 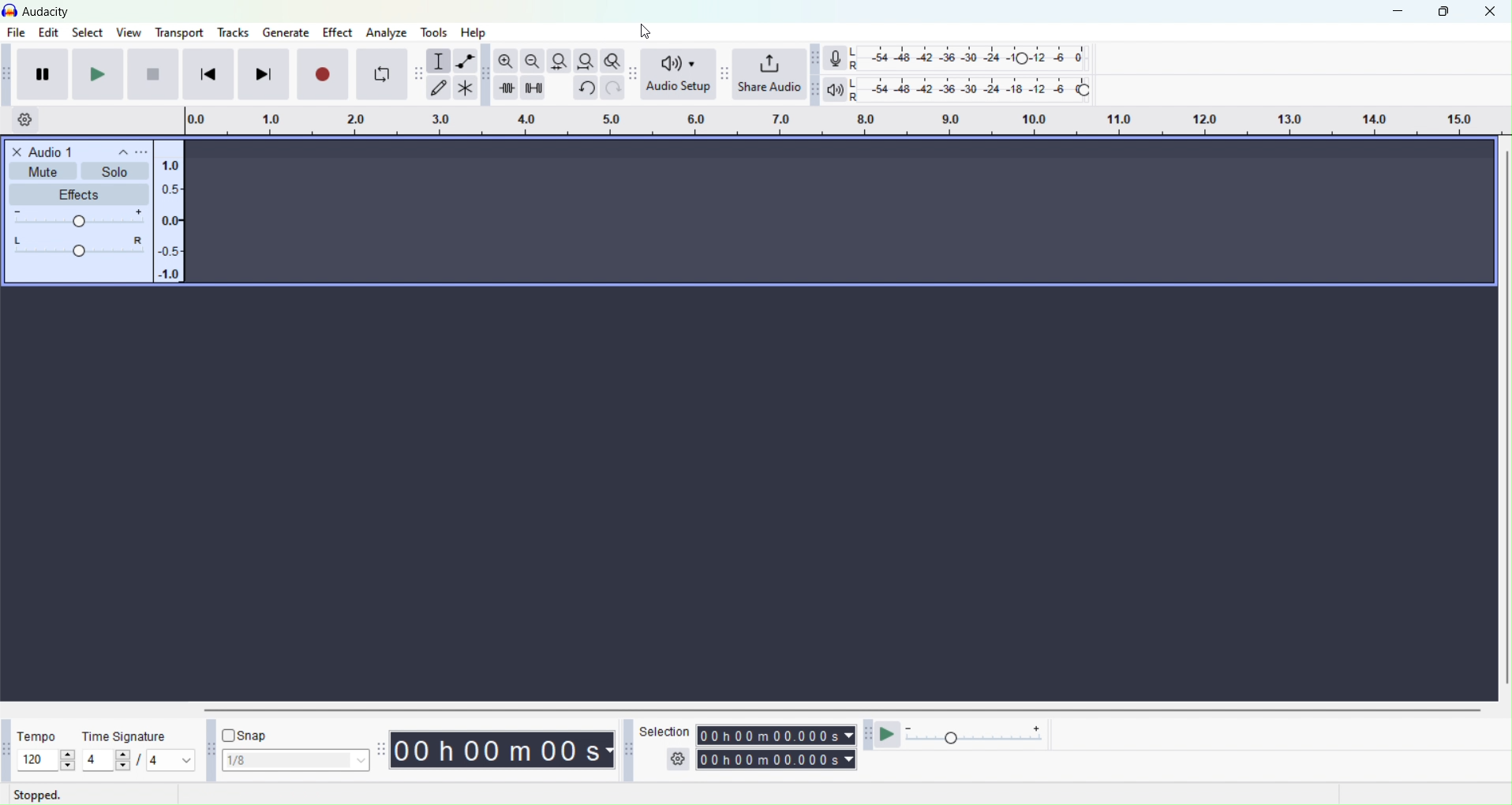 What do you see at coordinates (334, 32) in the screenshot?
I see `Effect` at bounding box center [334, 32].